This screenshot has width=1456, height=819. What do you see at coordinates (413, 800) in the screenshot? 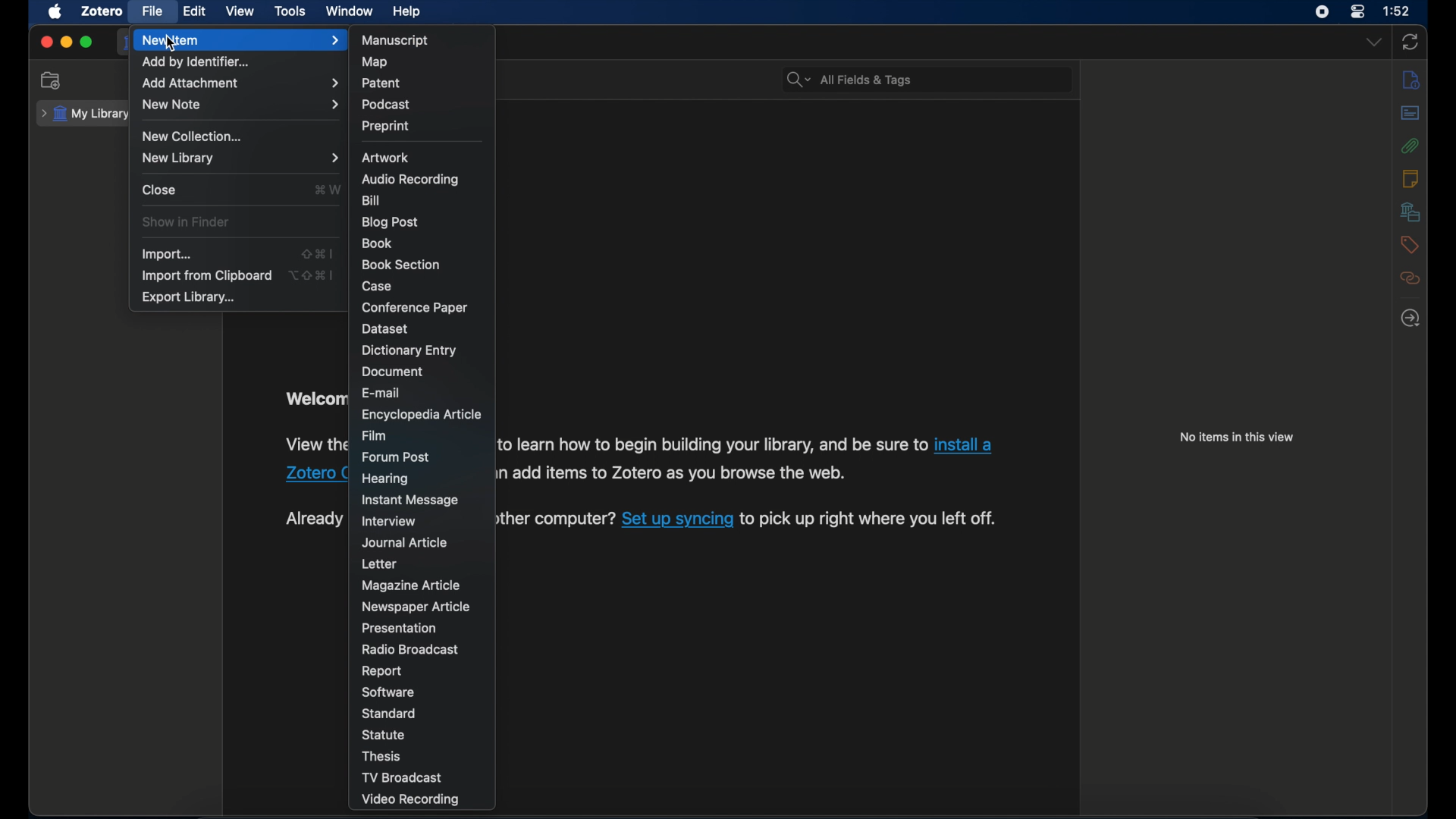
I see `video recording` at bounding box center [413, 800].